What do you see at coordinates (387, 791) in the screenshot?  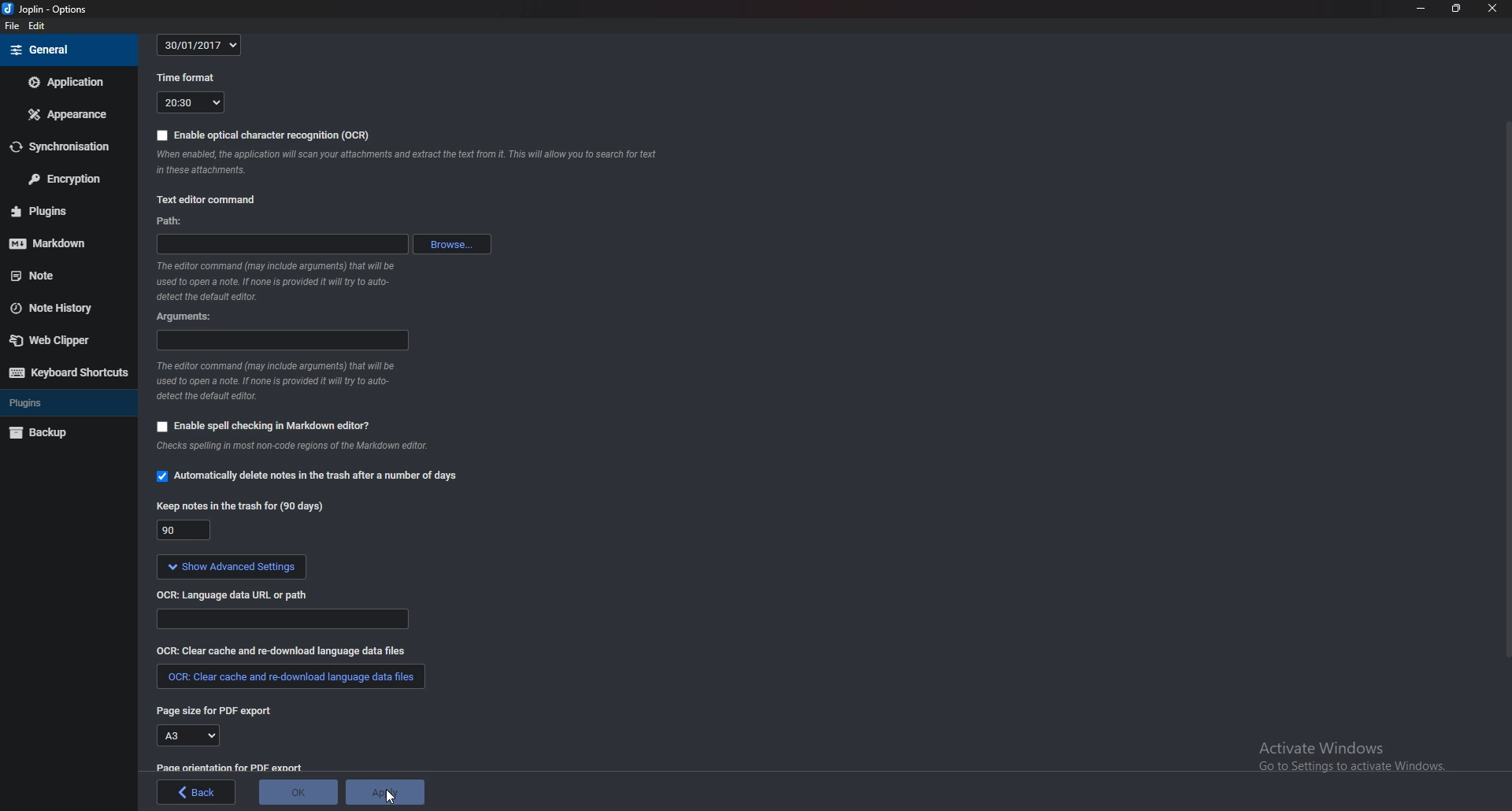 I see `Apply` at bounding box center [387, 791].